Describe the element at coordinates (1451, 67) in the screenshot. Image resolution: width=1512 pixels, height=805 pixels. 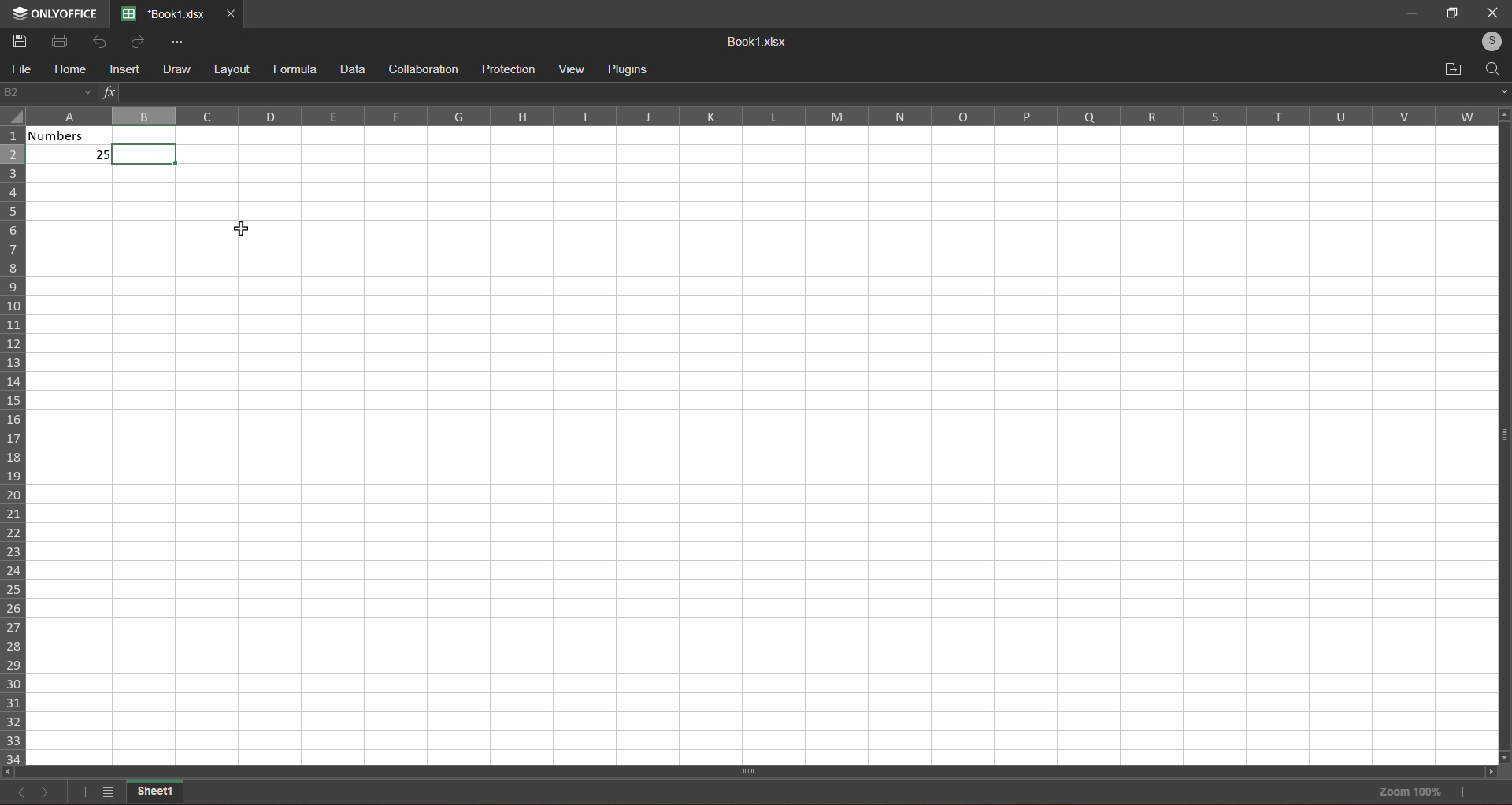
I see `open` at that location.